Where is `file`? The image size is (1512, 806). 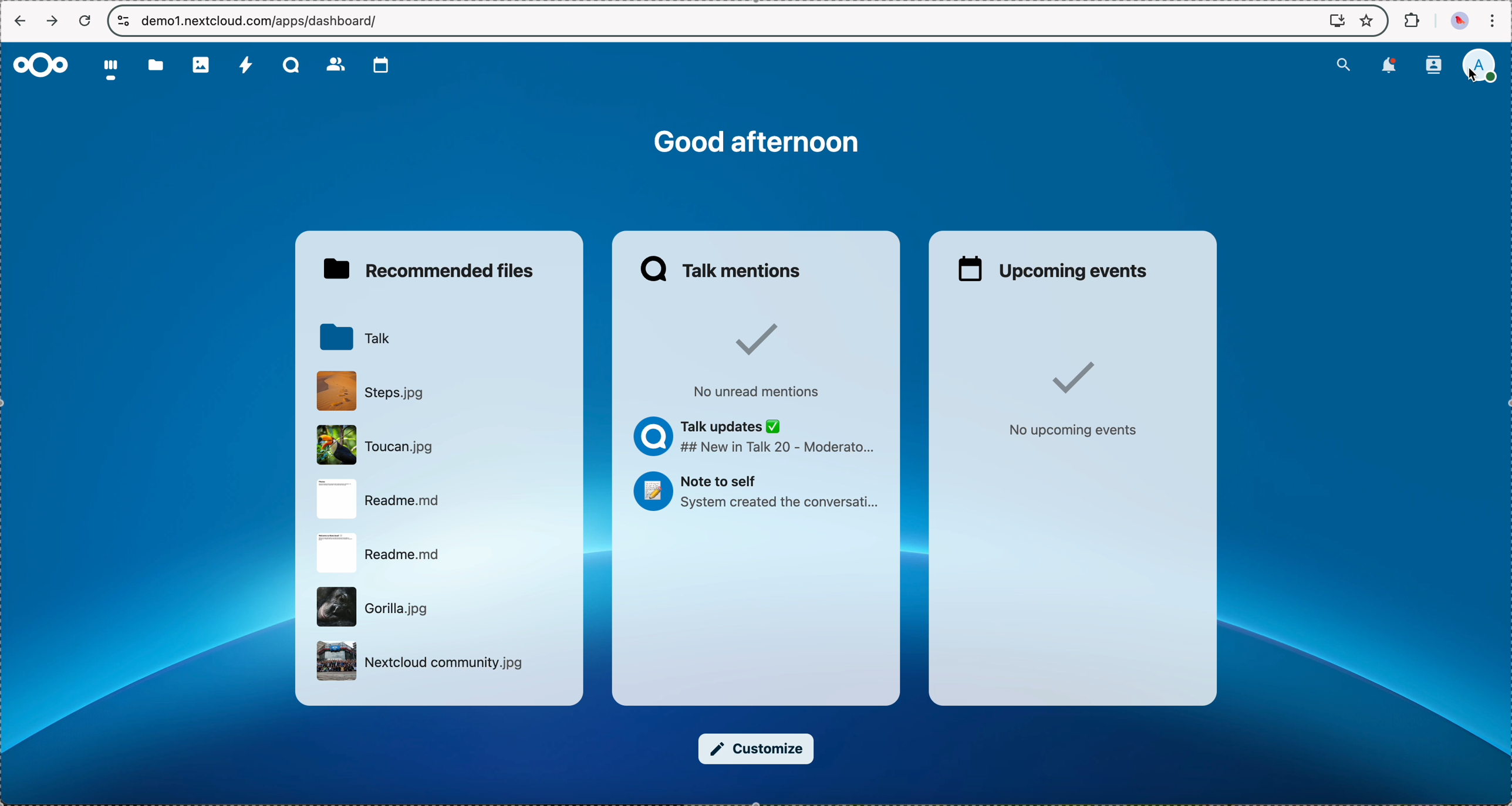
file is located at coordinates (374, 607).